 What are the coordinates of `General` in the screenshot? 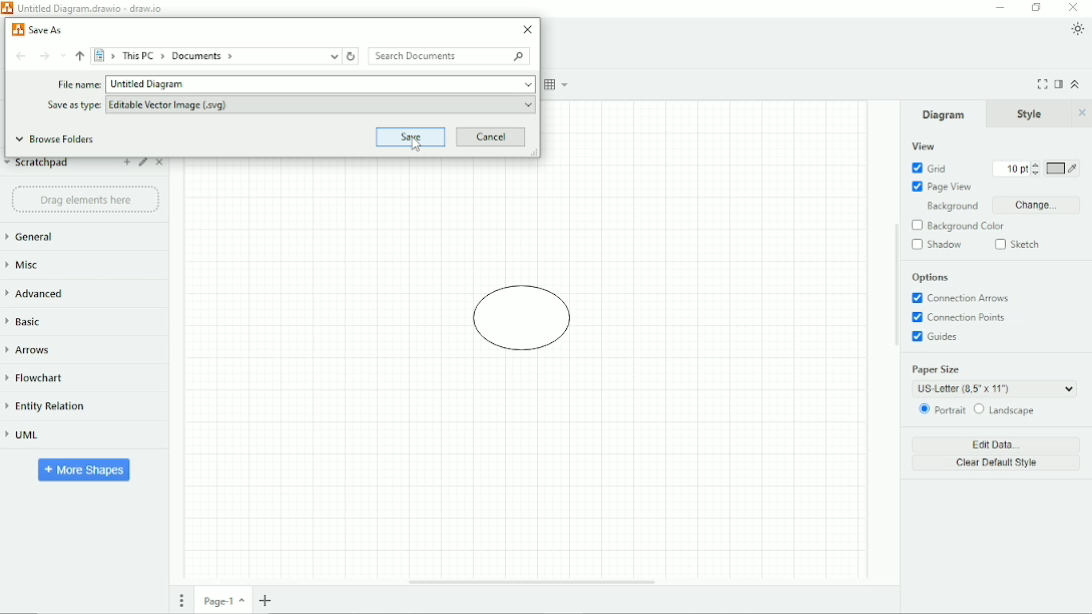 It's located at (31, 237).